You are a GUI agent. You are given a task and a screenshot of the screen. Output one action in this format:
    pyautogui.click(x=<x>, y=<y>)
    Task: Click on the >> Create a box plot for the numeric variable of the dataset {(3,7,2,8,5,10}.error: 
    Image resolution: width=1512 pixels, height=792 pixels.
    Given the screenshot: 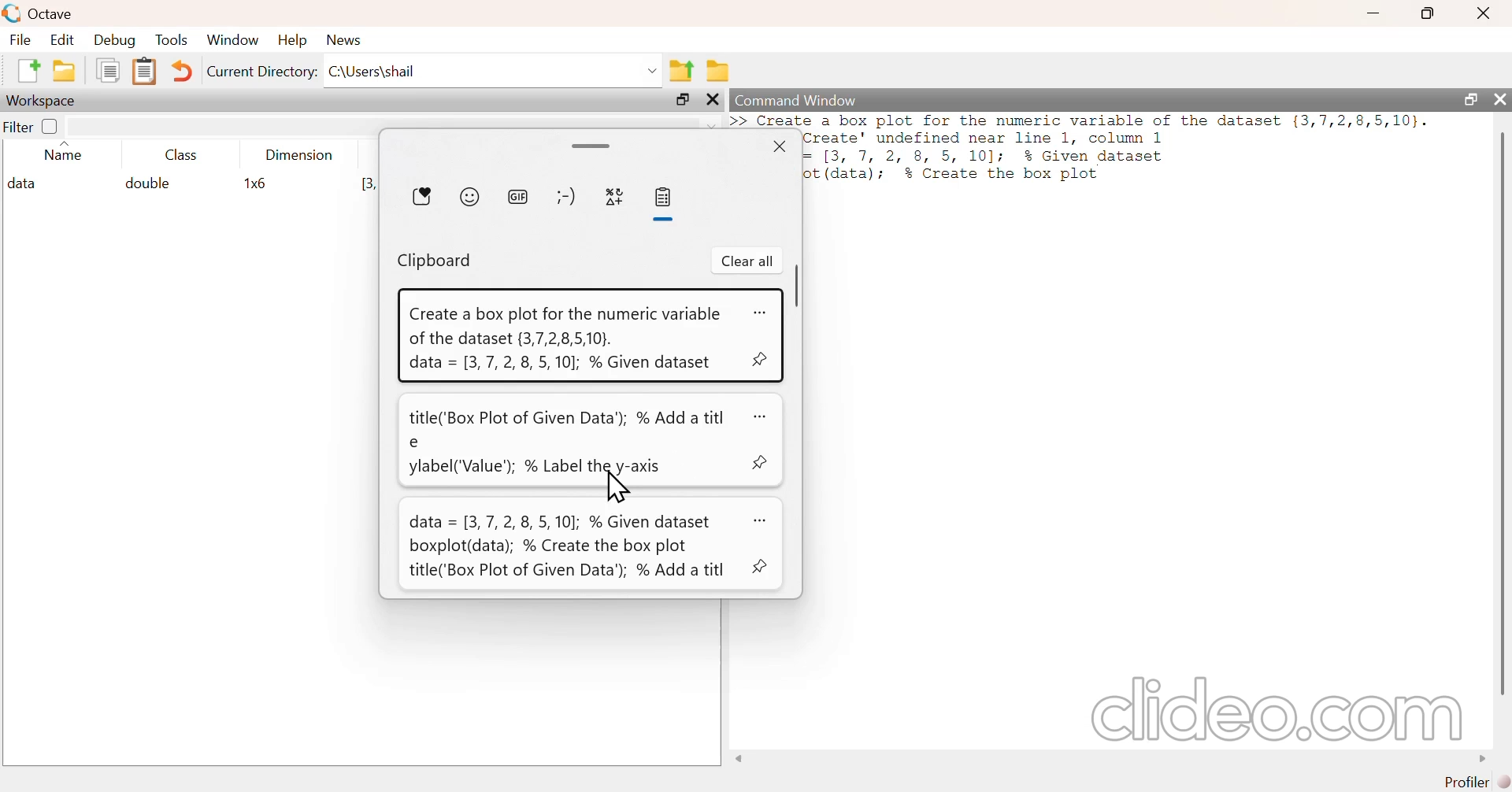 What is the action you would take?
    pyautogui.click(x=1089, y=80)
    